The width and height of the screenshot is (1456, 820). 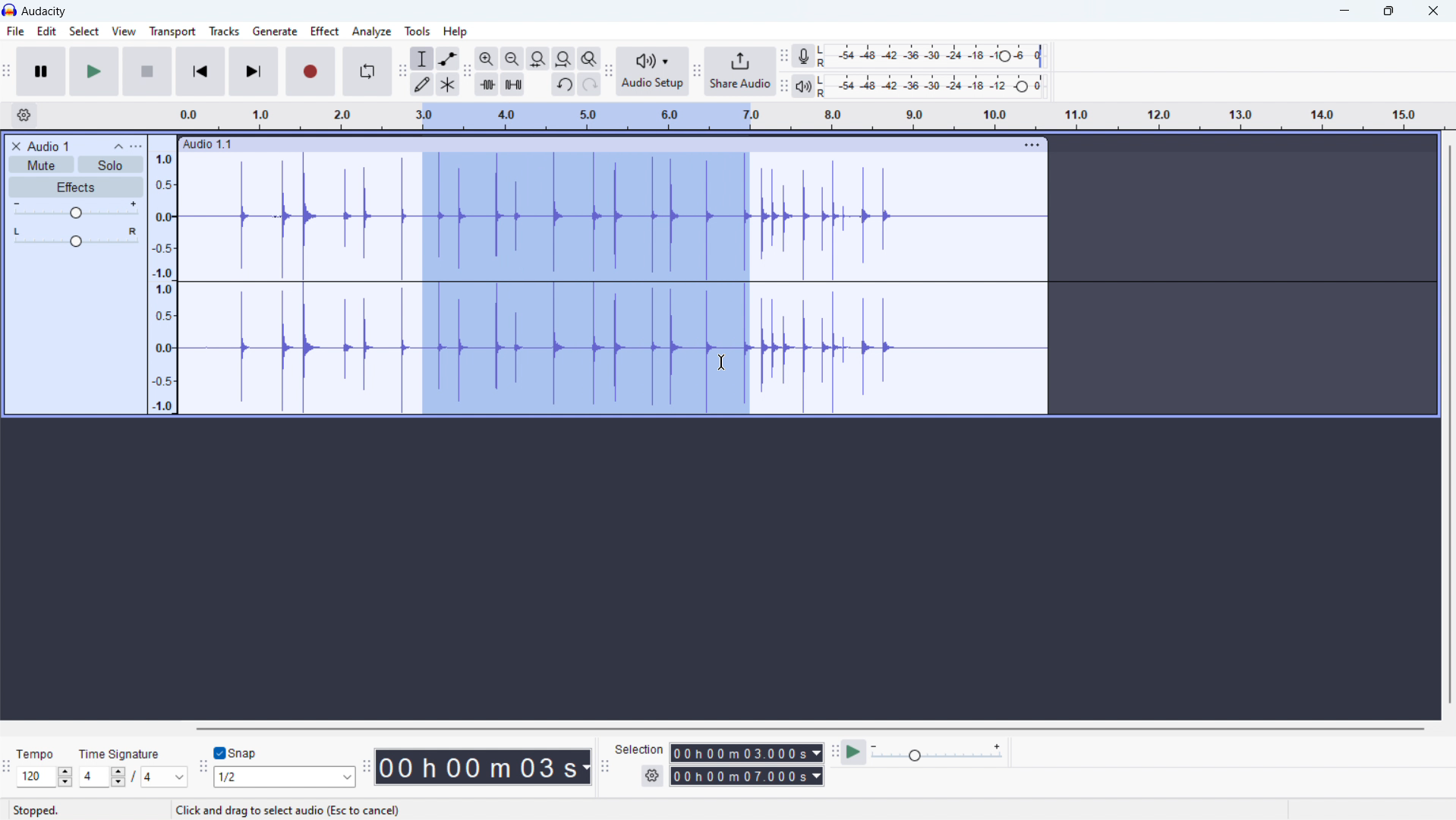 What do you see at coordinates (609, 71) in the screenshot?
I see `audio setup toolbar` at bounding box center [609, 71].